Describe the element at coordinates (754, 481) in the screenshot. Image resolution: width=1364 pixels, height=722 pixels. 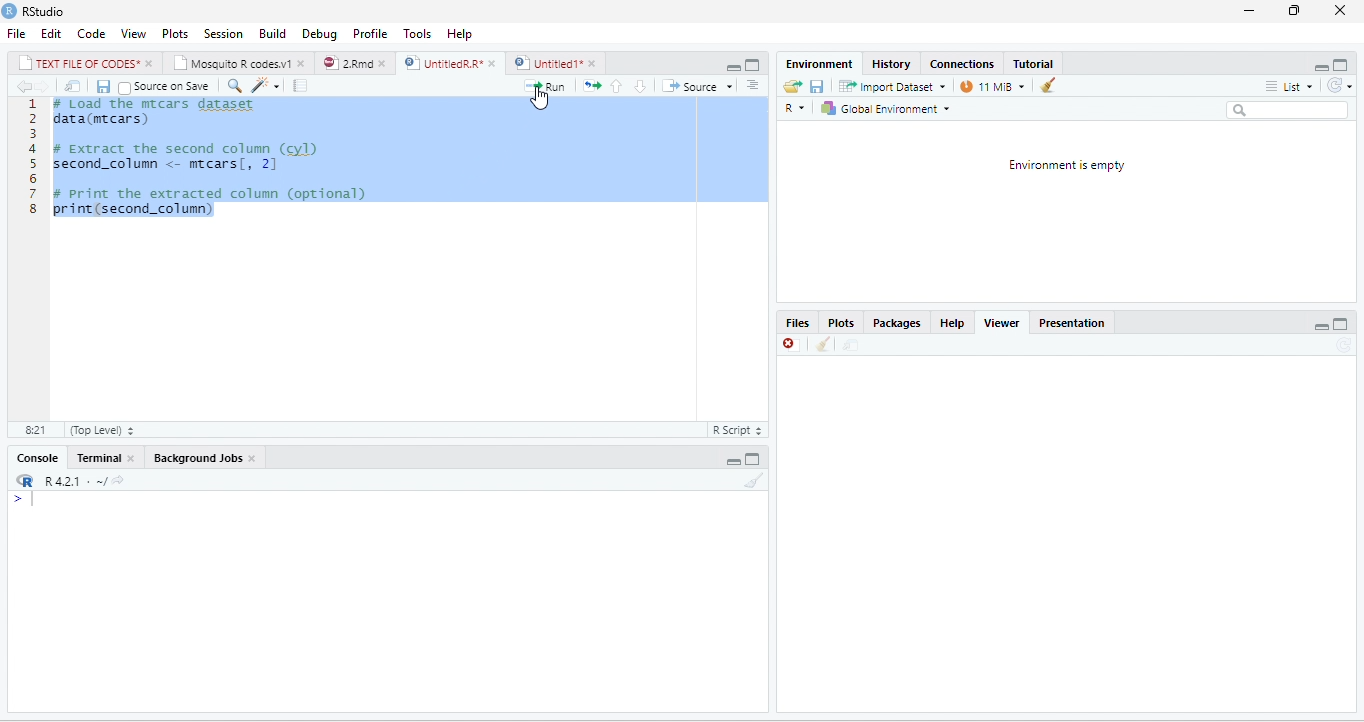
I see `clear` at that location.